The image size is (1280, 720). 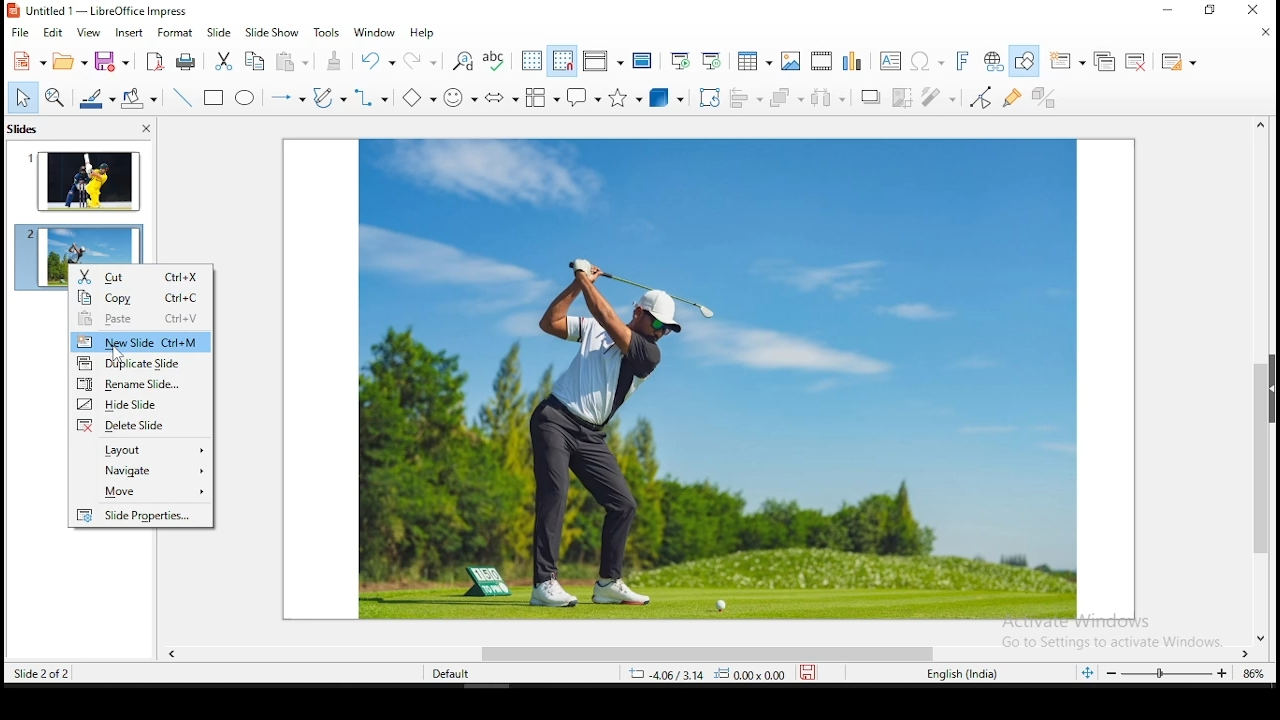 What do you see at coordinates (416, 95) in the screenshot?
I see `basic shapes` at bounding box center [416, 95].